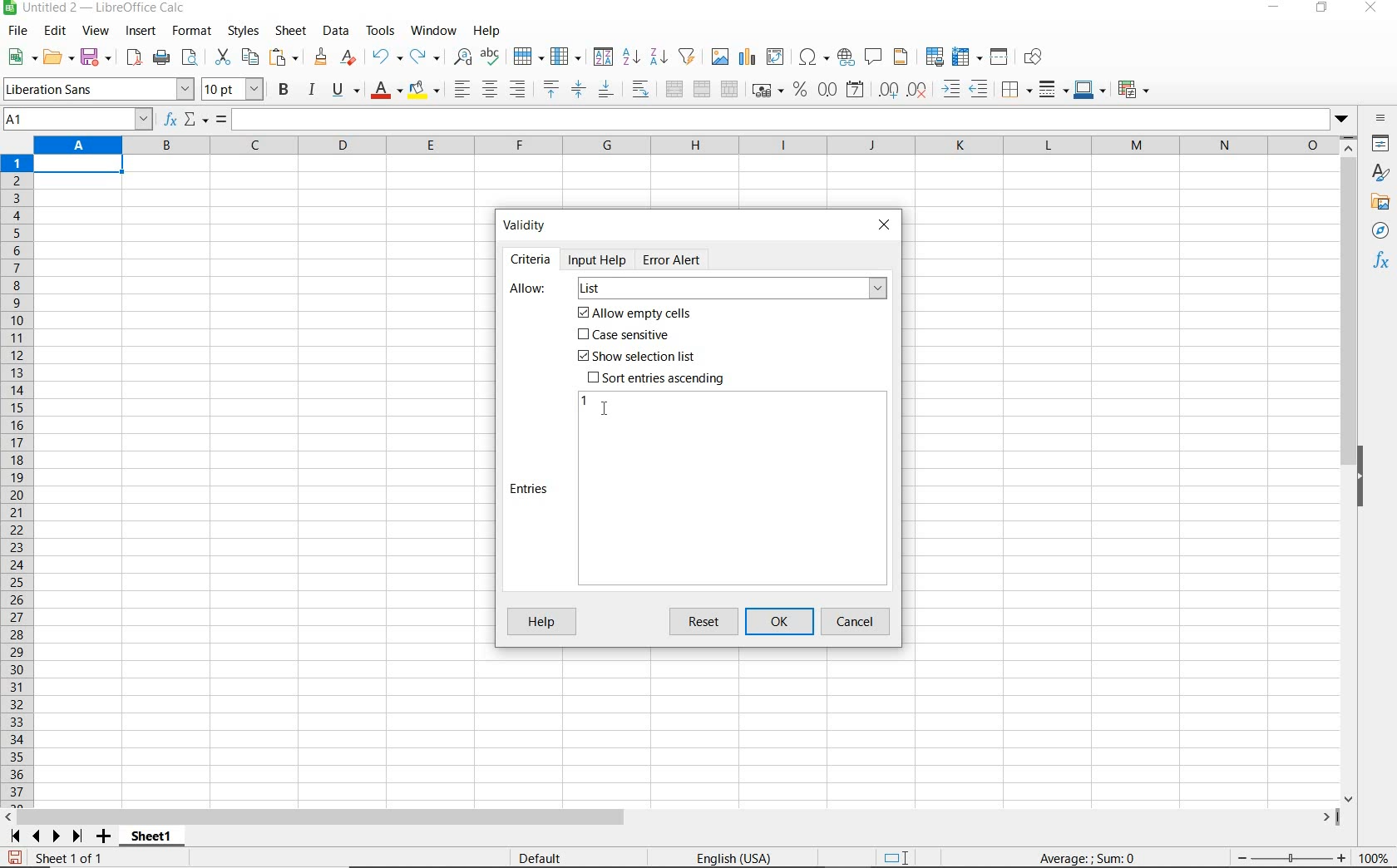 The height and width of the screenshot is (868, 1397). Describe the element at coordinates (519, 89) in the screenshot. I see `align right` at that location.